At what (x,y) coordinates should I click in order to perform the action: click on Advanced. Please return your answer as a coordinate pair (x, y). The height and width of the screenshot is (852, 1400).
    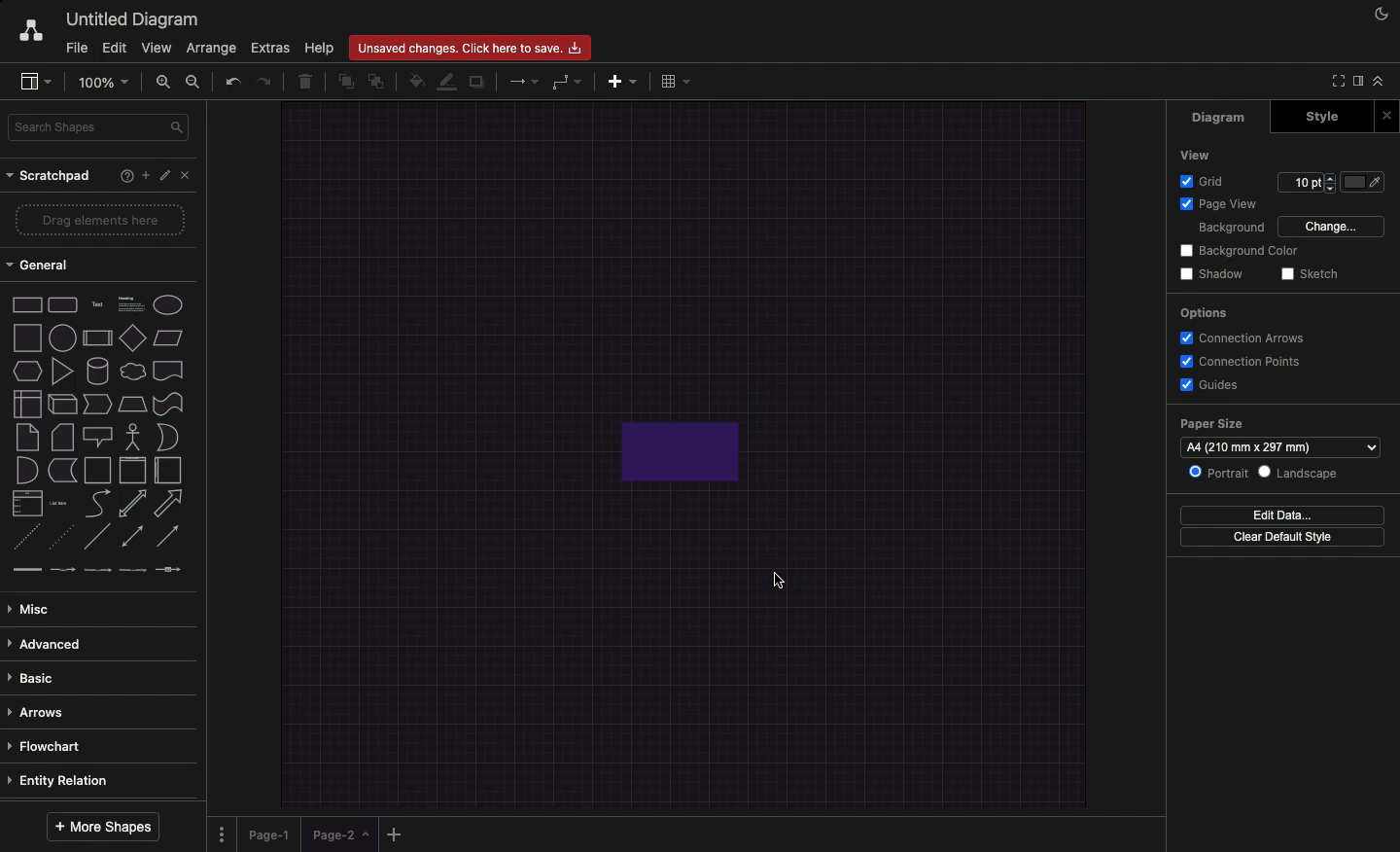
    Looking at the image, I should click on (46, 641).